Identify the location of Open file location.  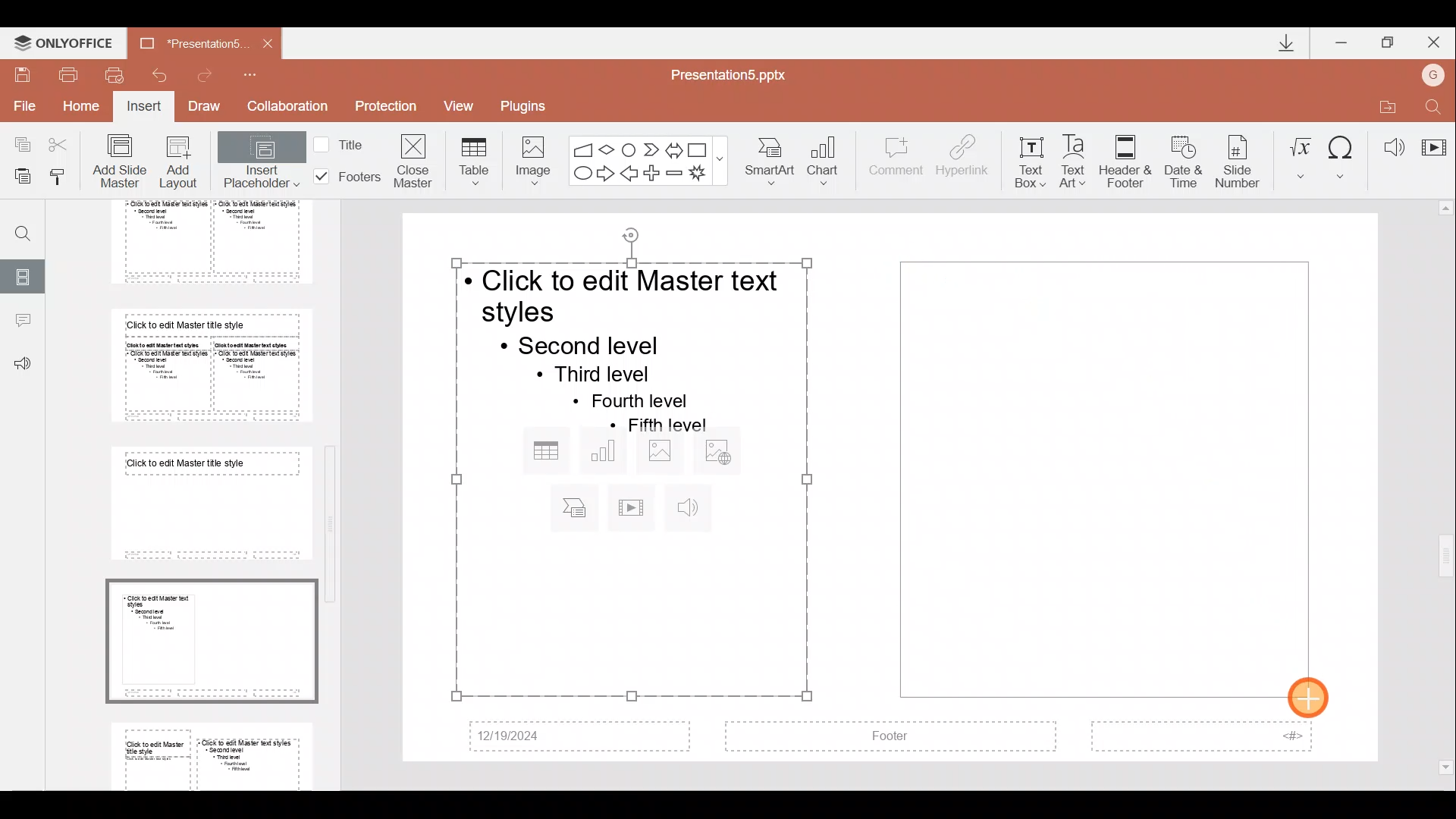
(1384, 104).